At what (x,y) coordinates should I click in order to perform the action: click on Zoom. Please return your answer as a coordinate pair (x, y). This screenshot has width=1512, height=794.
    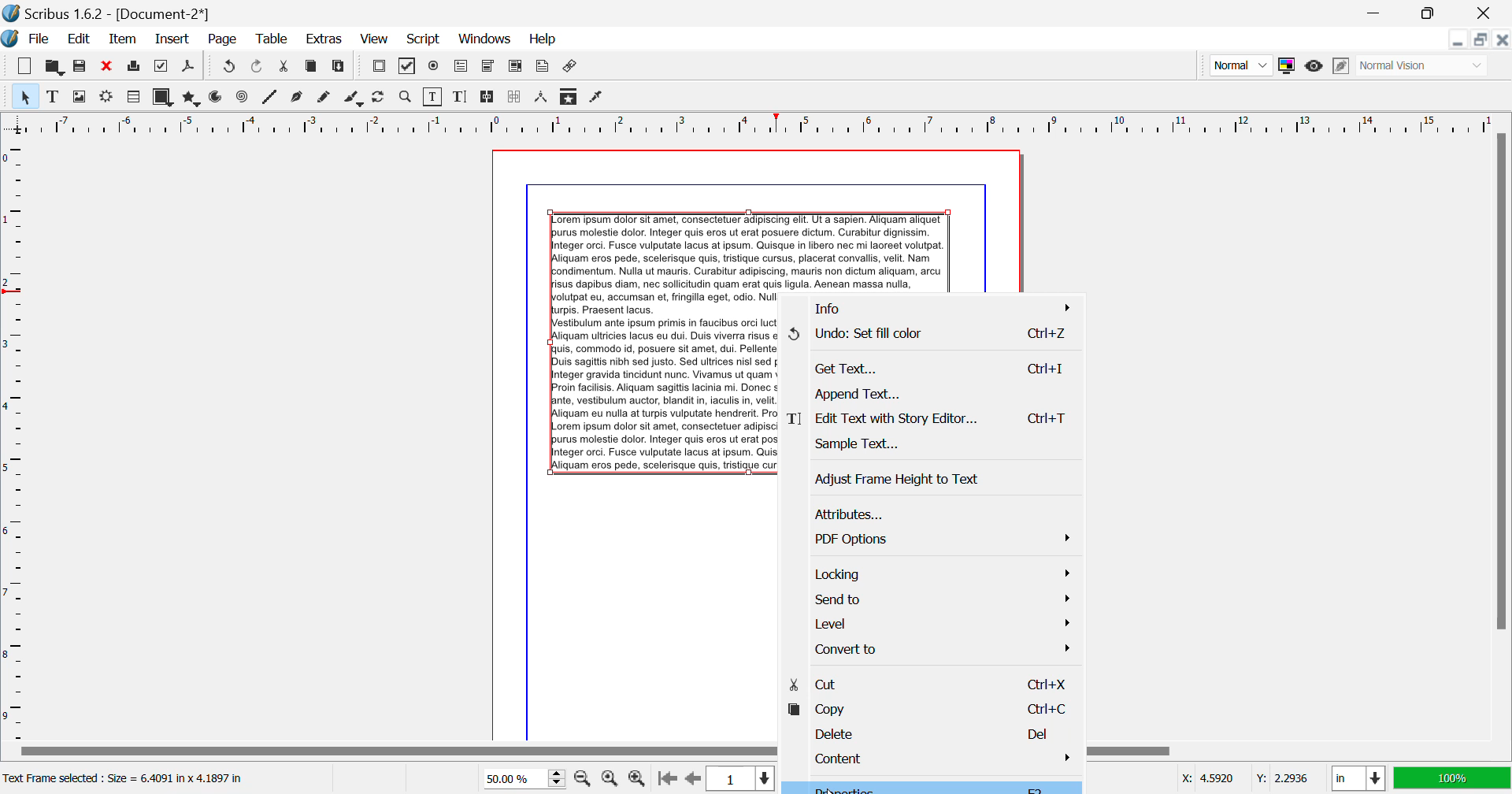
    Looking at the image, I should click on (406, 97).